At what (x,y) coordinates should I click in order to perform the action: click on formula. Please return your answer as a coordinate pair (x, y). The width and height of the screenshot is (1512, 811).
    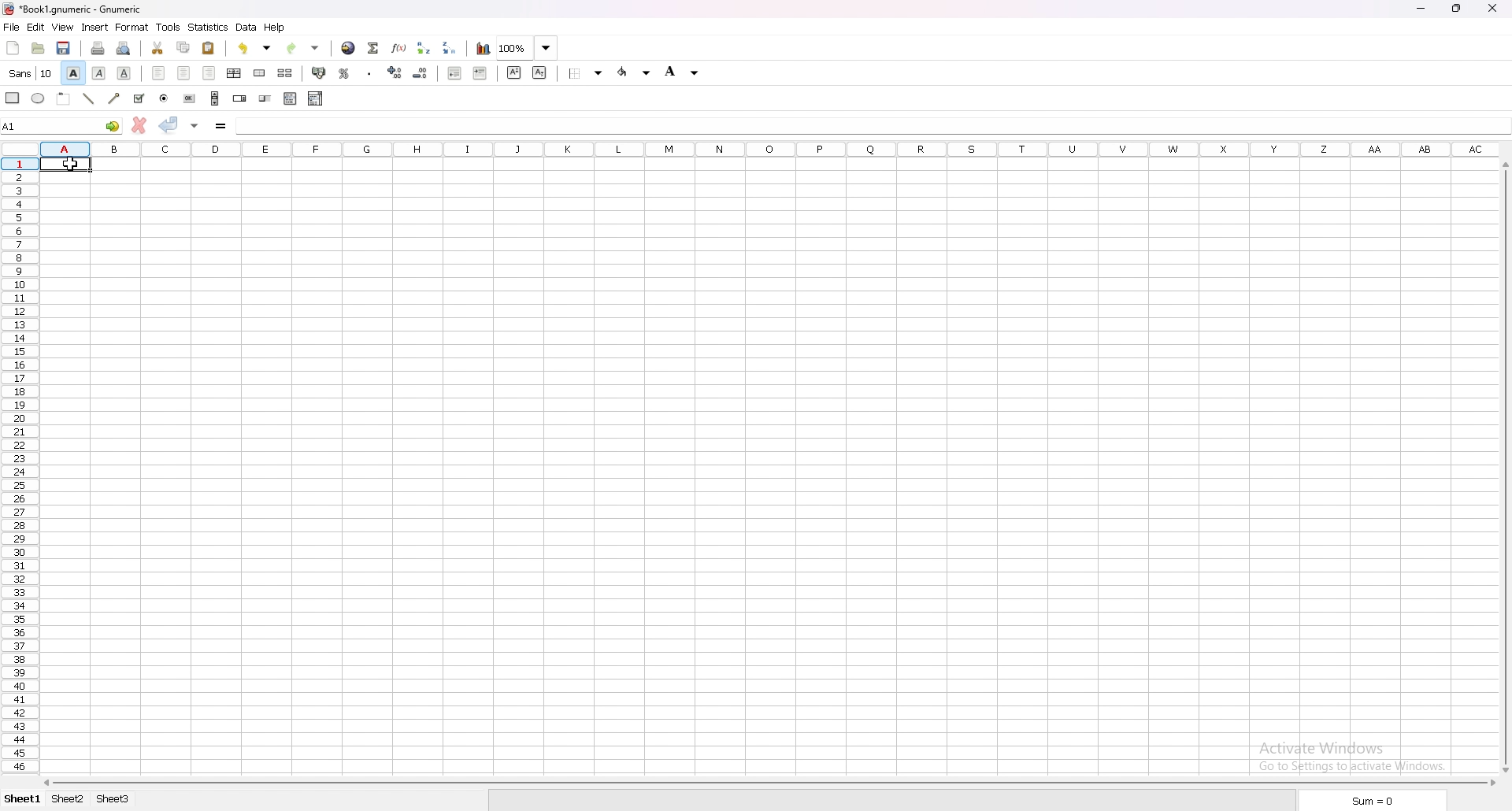
    Looking at the image, I should click on (221, 126).